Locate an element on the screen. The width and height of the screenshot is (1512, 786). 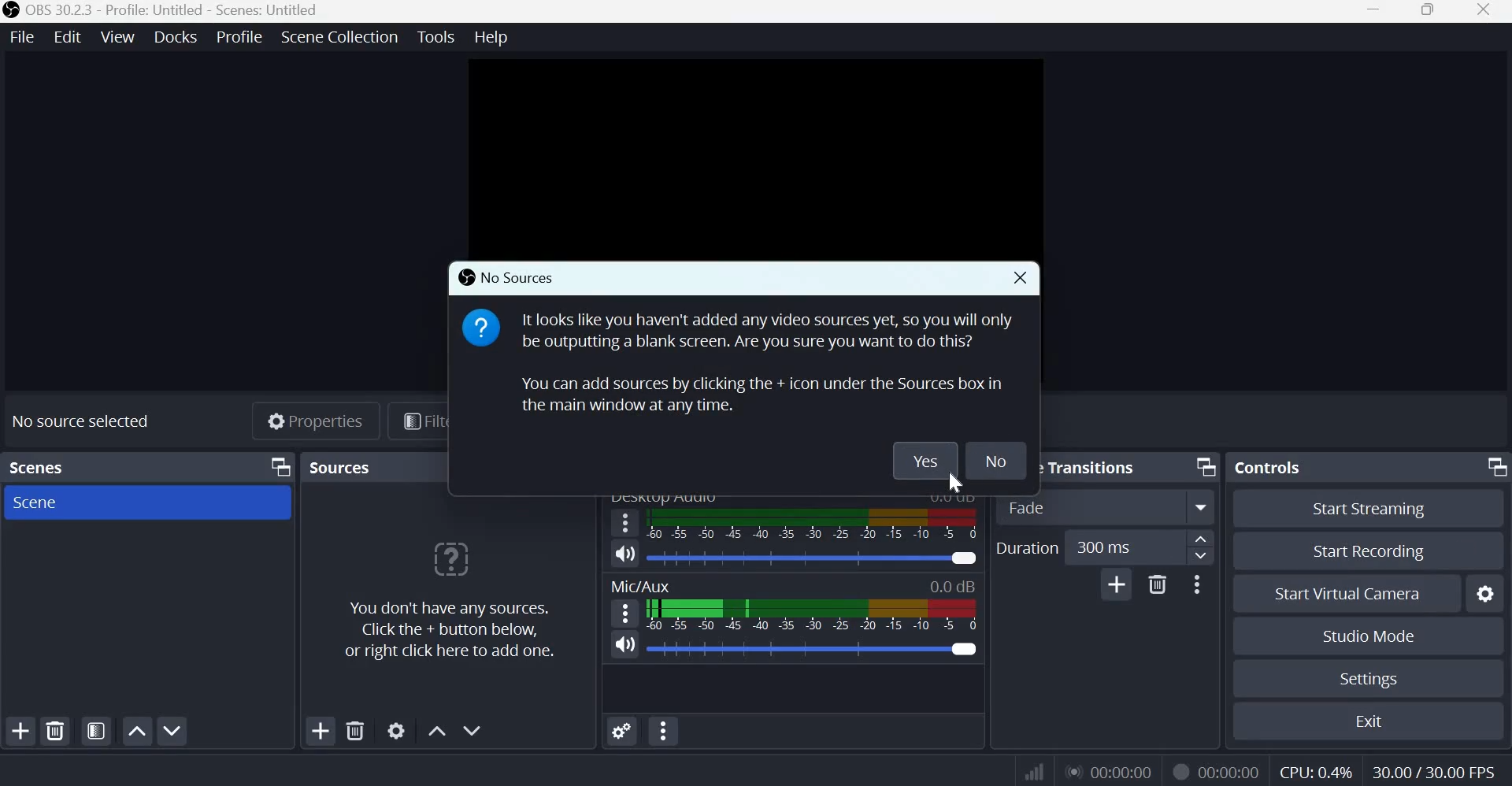
Delete Transition is located at coordinates (1157, 584).